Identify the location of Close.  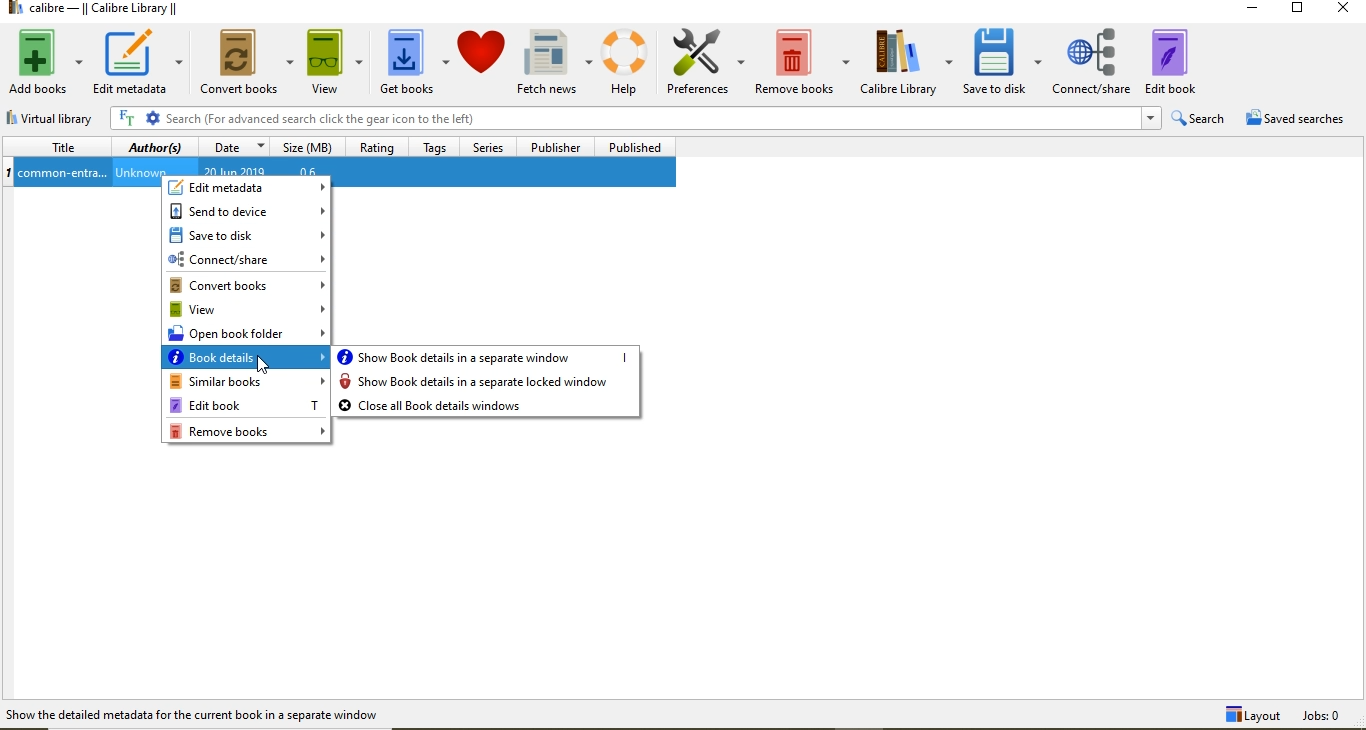
(1340, 11).